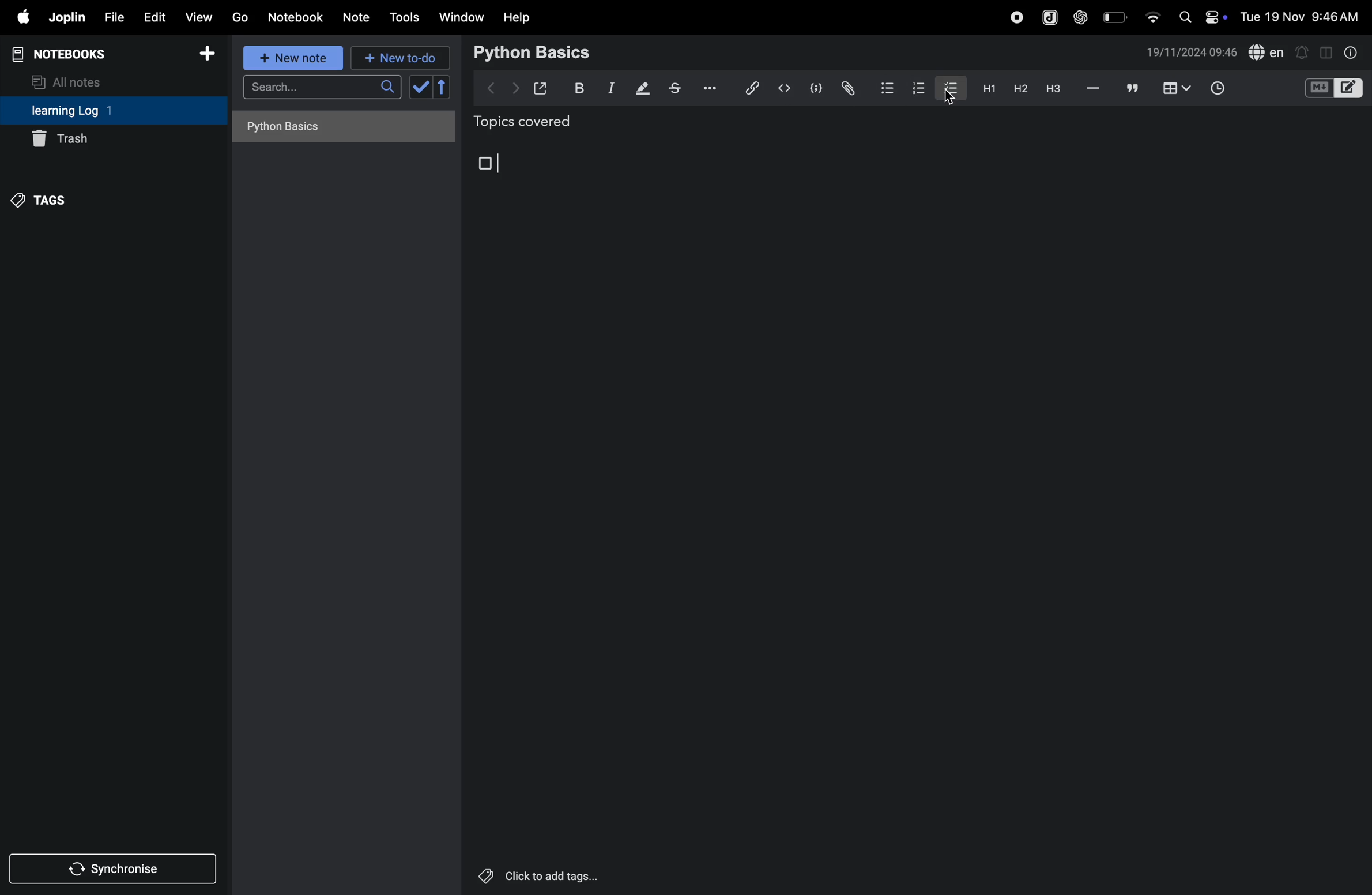 The height and width of the screenshot is (895, 1372). What do you see at coordinates (751, 88) in the screenshot?
I see `hyper link` at bounding box center [751, 88].